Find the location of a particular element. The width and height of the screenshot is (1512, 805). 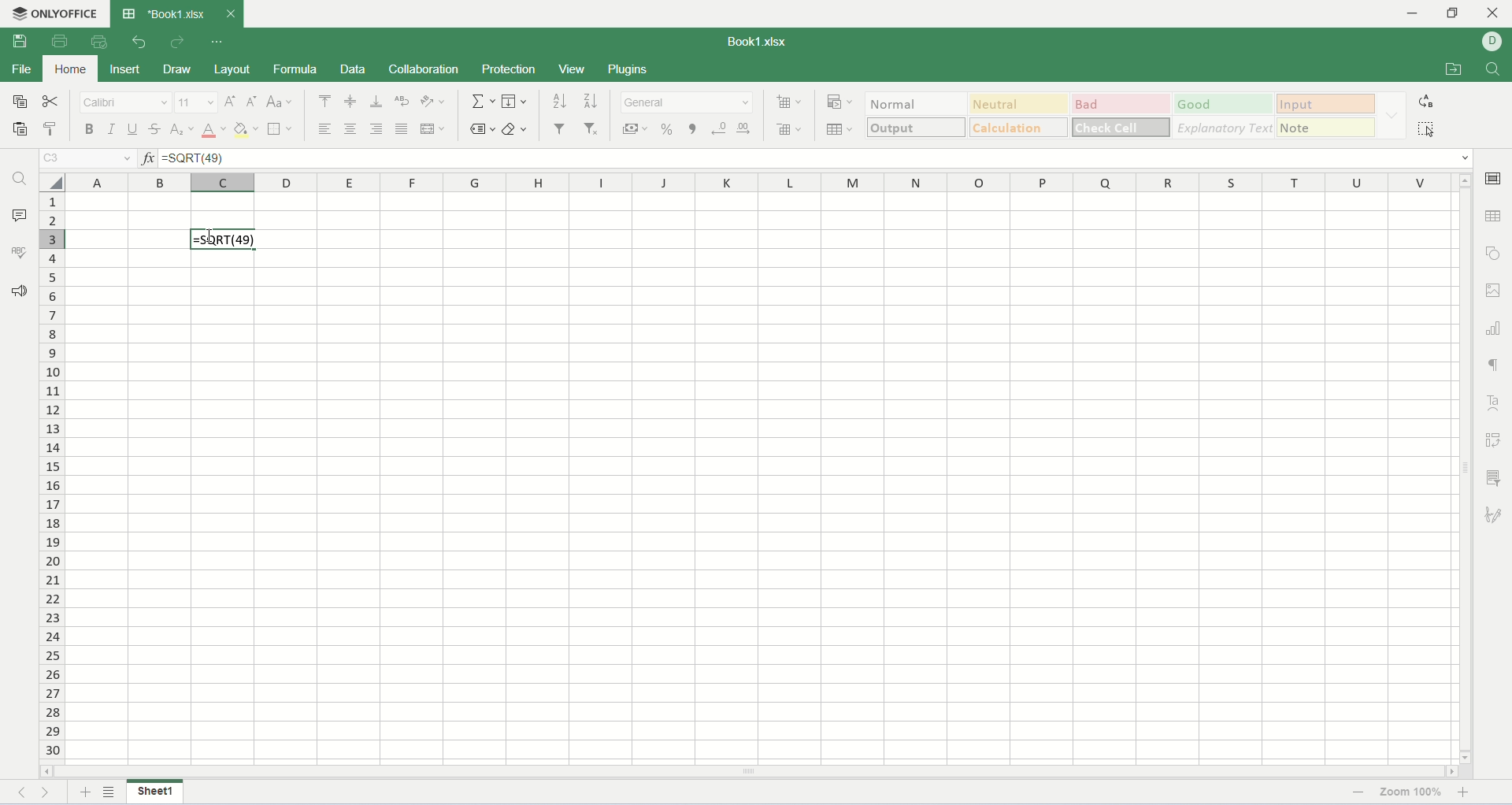

find is located at coordinates (1496, 70).